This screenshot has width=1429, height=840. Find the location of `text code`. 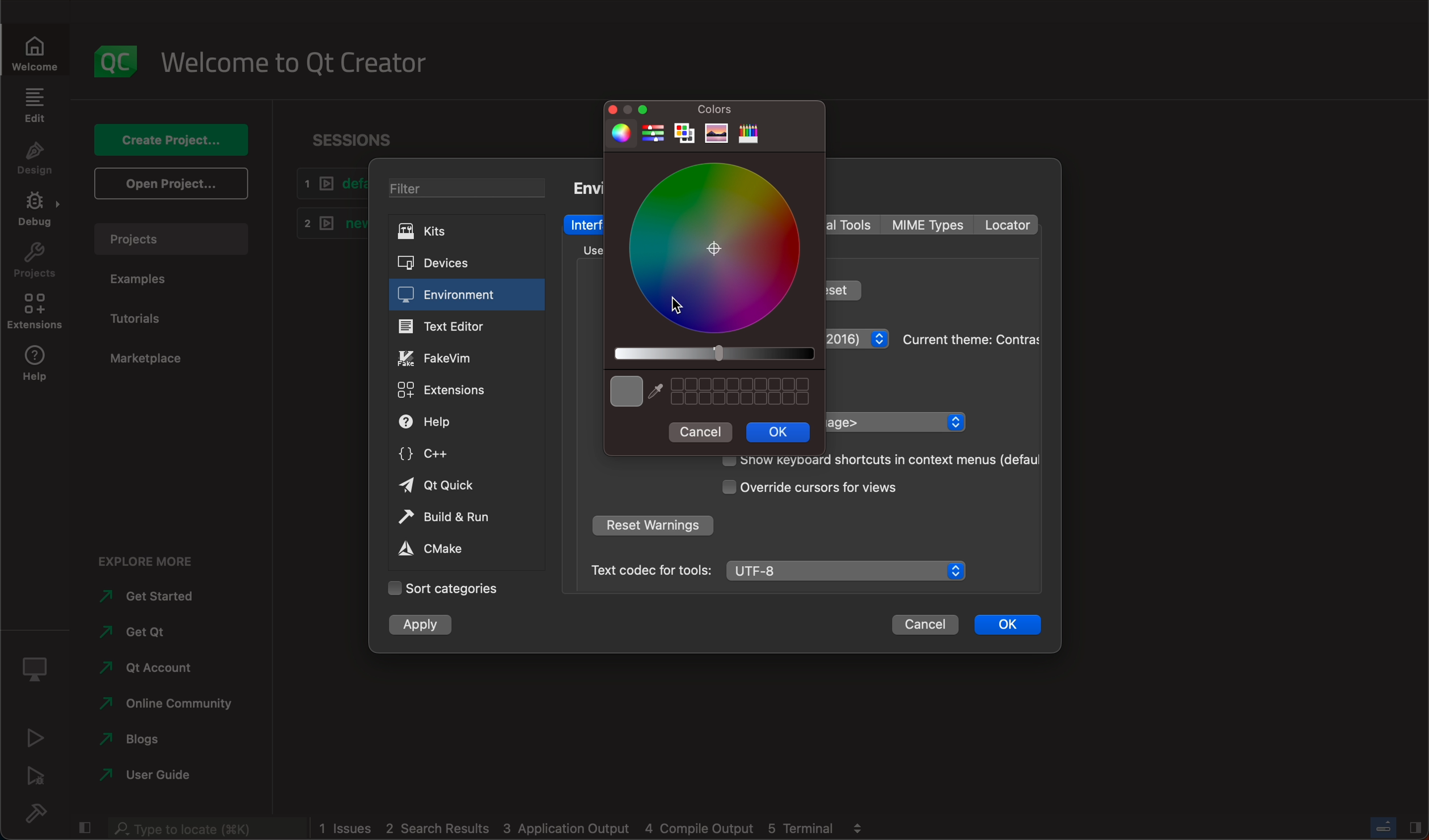

text code is located at coordinates (650, 570).